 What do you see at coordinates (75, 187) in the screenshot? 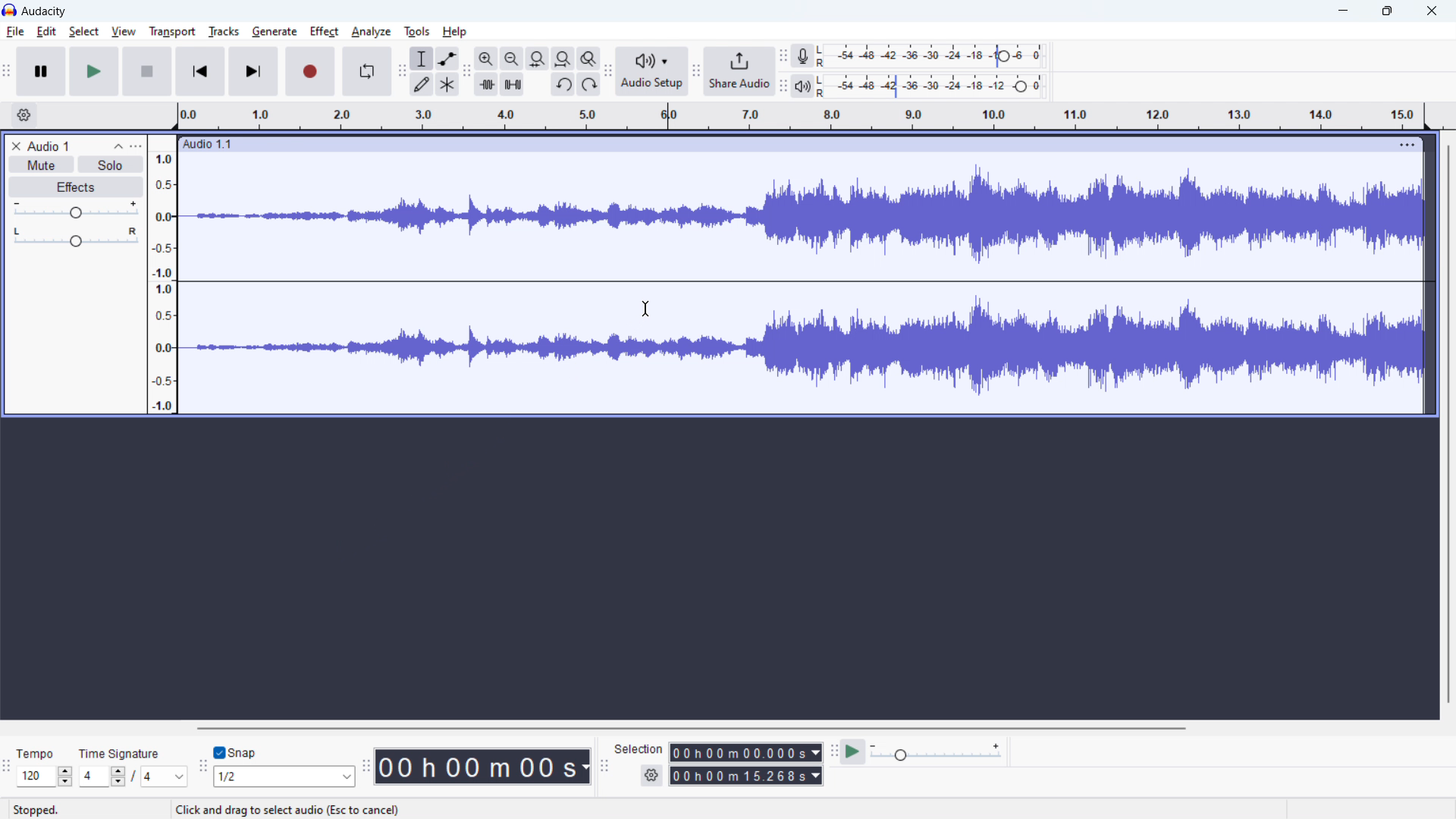
I see `effects` at bounding box center [75, 187].